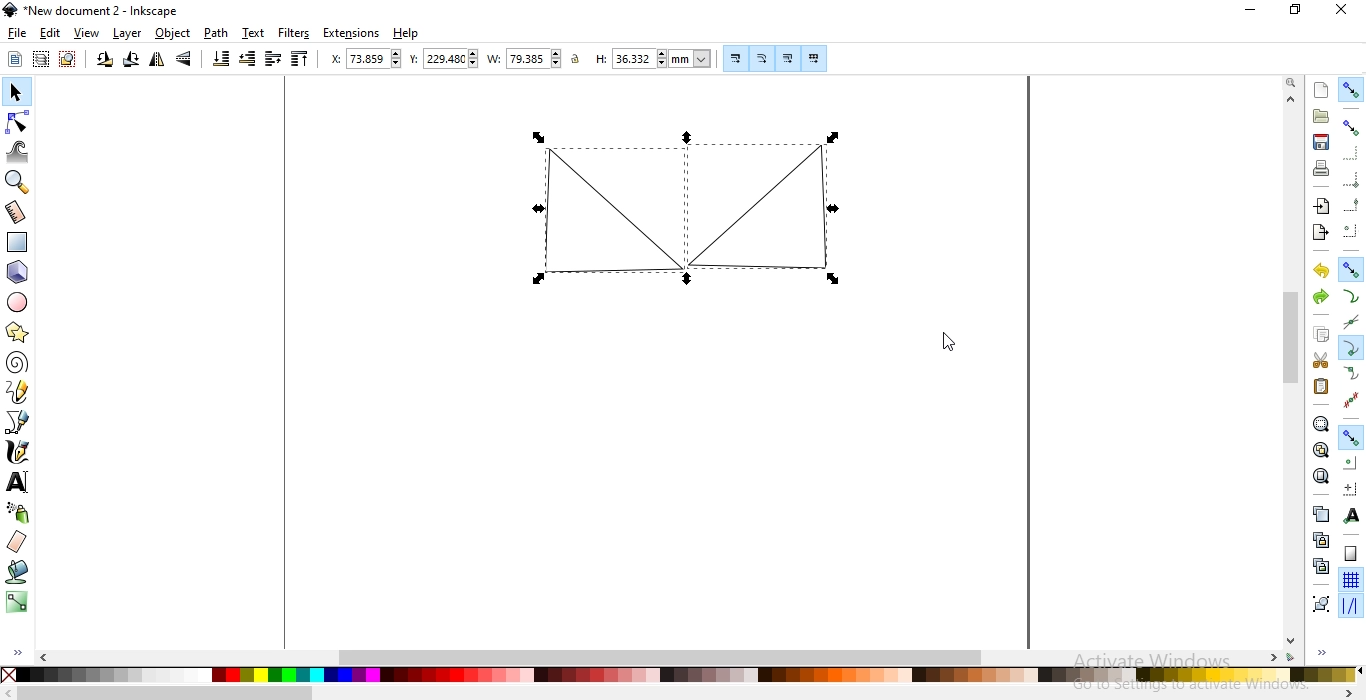 The height and width of the screenshot is (700, 1366). Describe the element at coordinates (15, 602) in the screenshot. I see `create and edit gradients` at that location.